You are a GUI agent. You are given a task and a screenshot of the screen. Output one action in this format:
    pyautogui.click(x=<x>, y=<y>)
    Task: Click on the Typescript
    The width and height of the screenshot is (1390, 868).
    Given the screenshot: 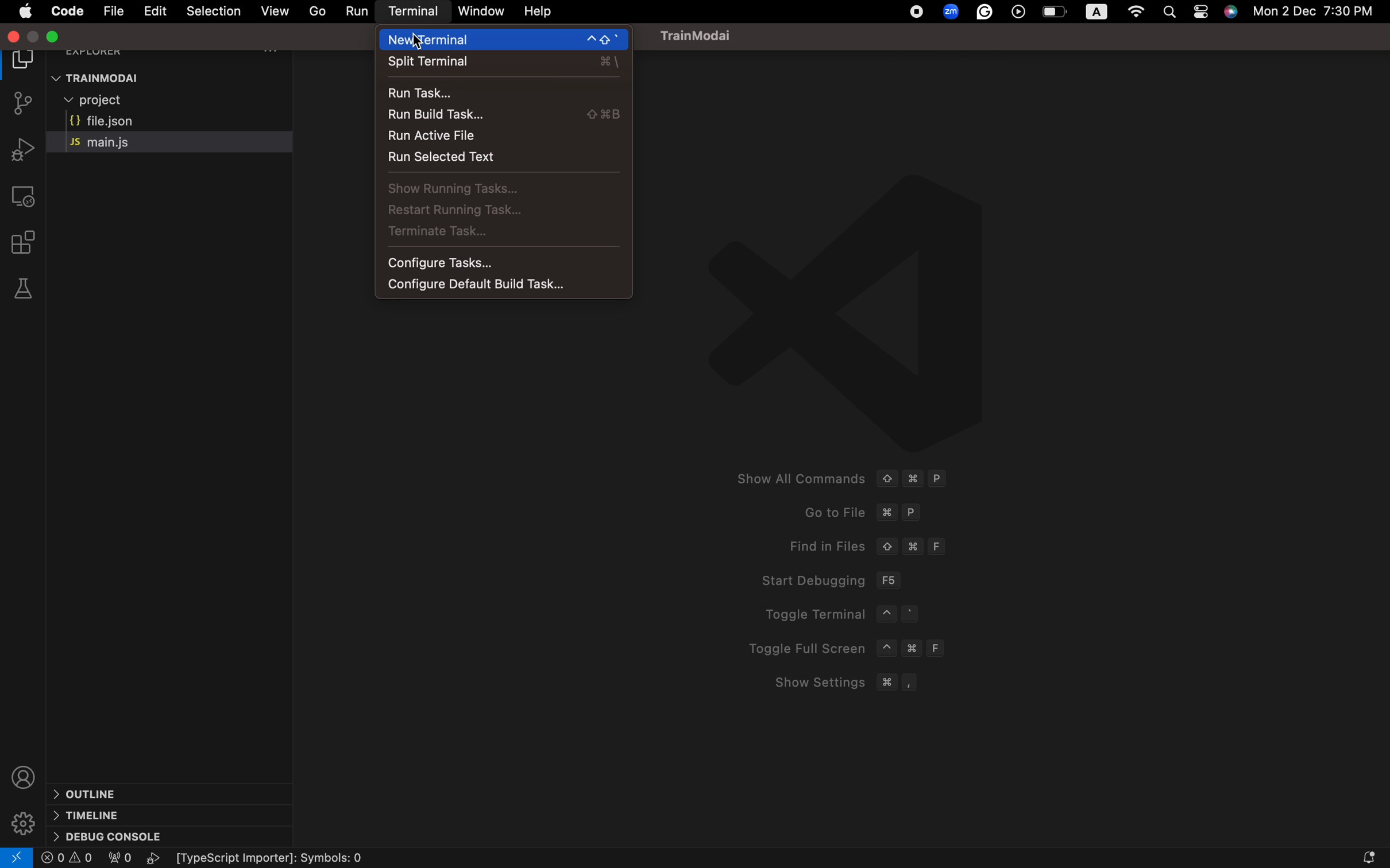 What is the action you would take?
    pyautogui.click(x=280, y=859)
    